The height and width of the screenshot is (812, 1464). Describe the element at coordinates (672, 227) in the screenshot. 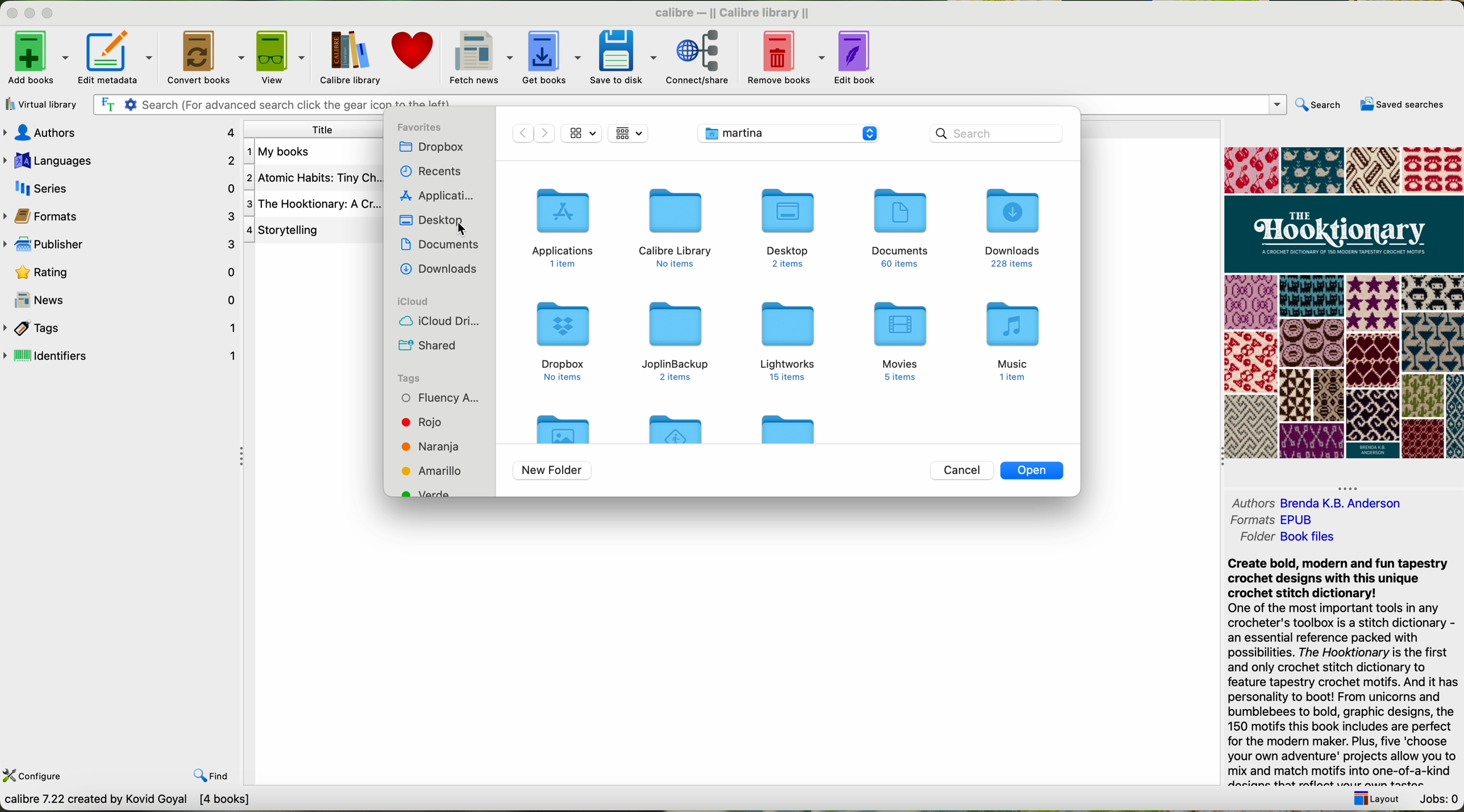

I see `calibre library folder` at that location.